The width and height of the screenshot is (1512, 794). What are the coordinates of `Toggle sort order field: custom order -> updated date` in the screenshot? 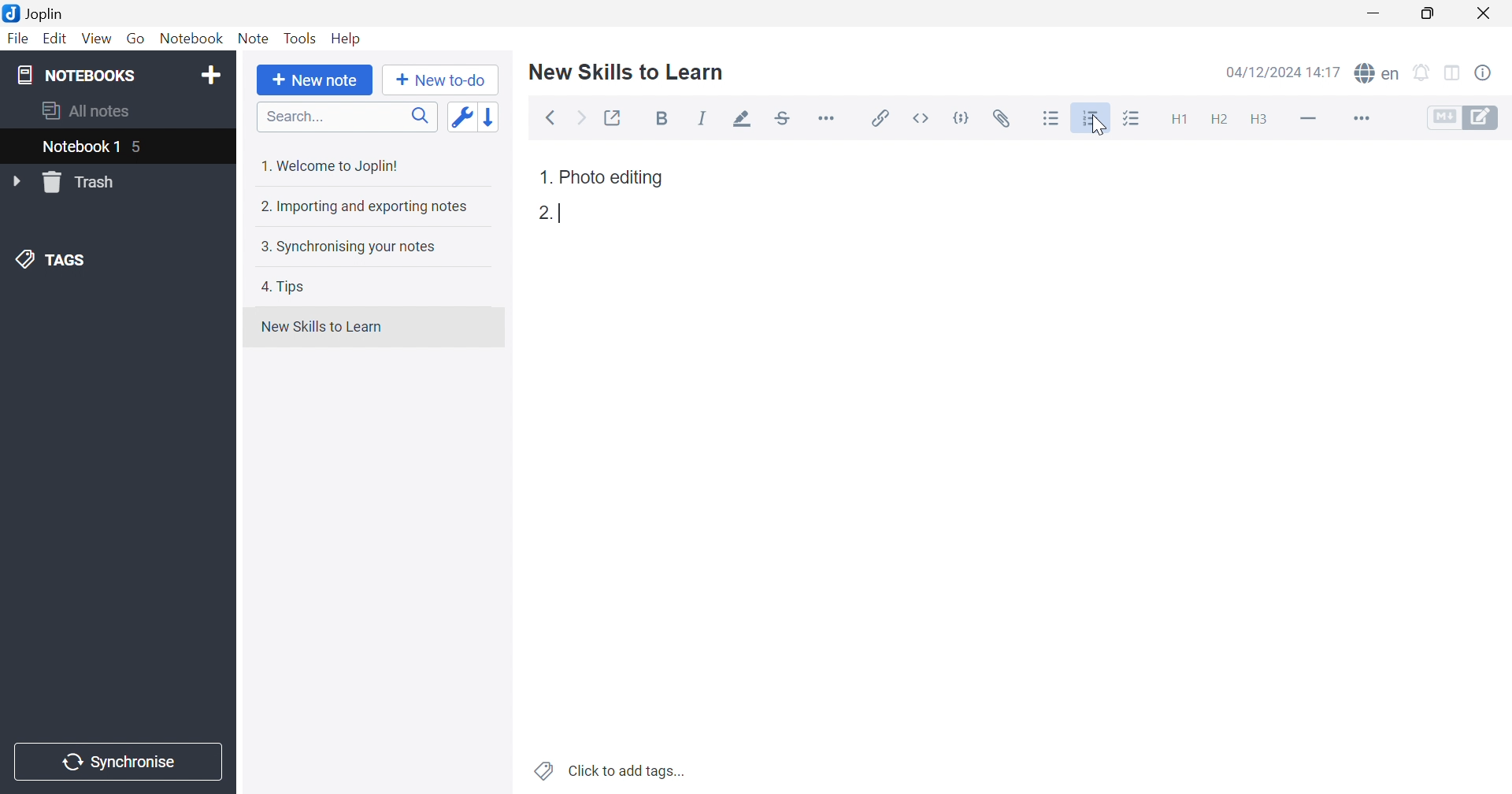 It's located at (461, 116).